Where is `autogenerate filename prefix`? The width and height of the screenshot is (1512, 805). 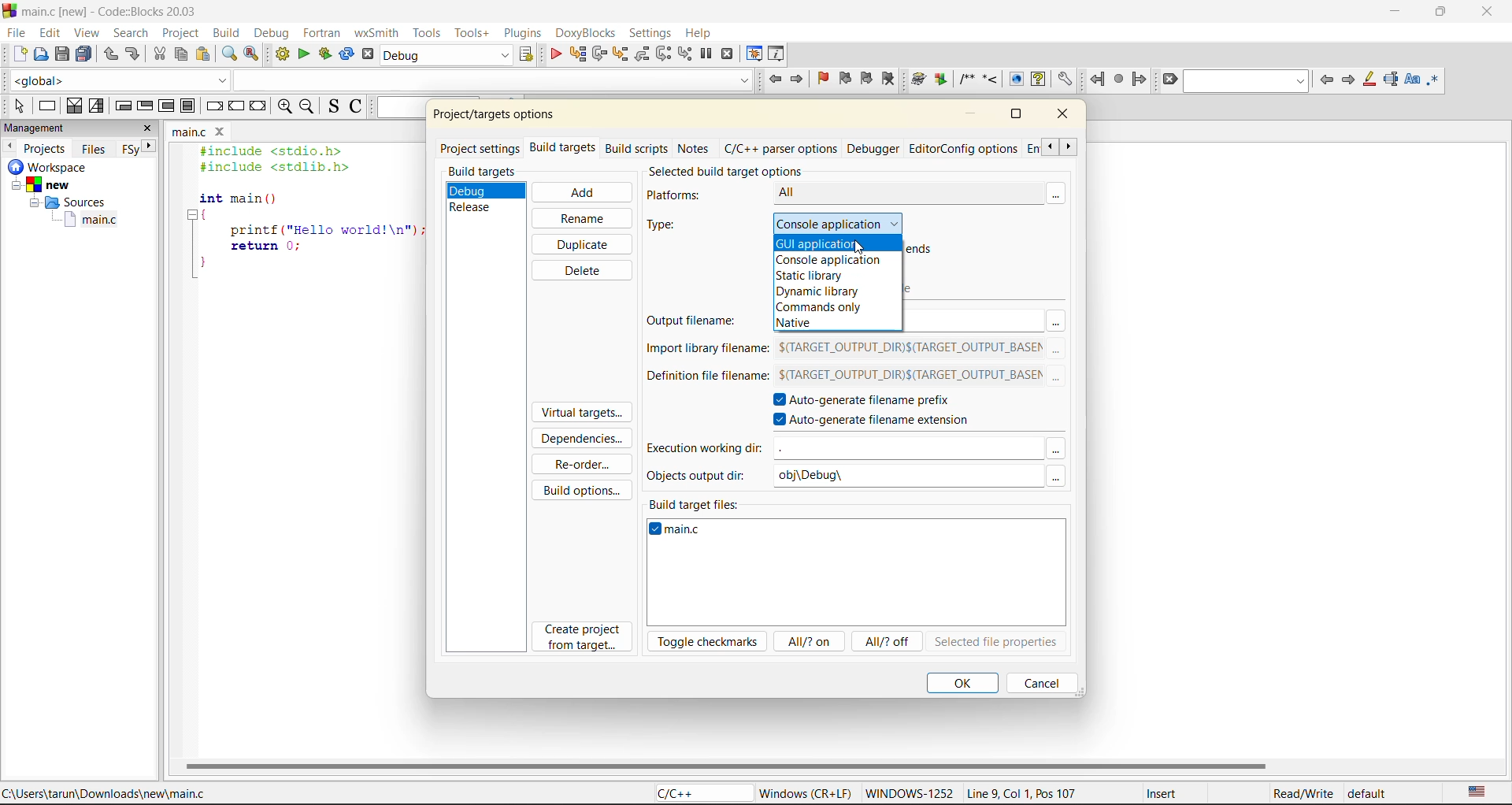 autogenerate filename prefix is located at coordinates (864, 399).